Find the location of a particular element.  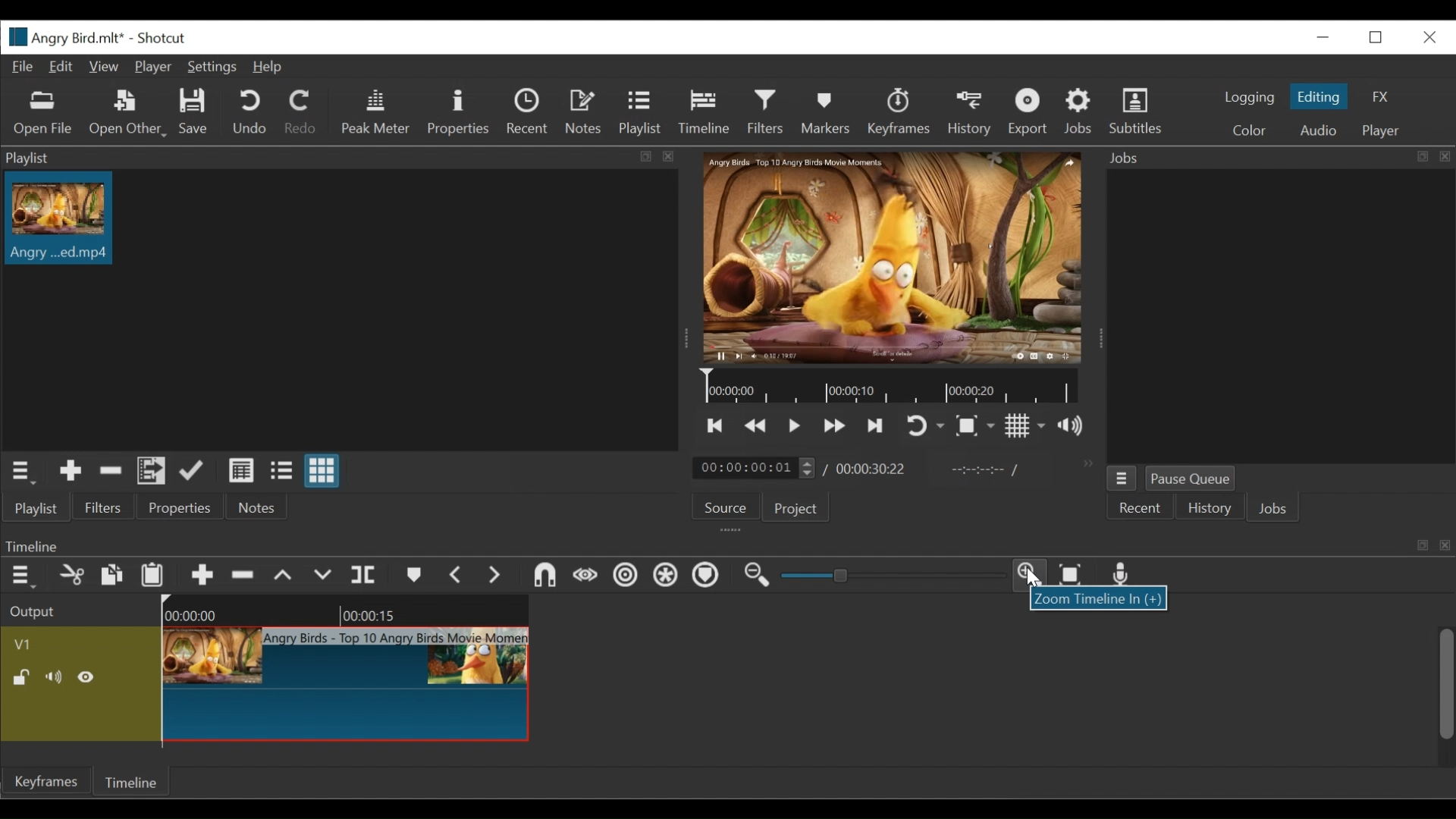

In point is located at coordinates (984, 469).